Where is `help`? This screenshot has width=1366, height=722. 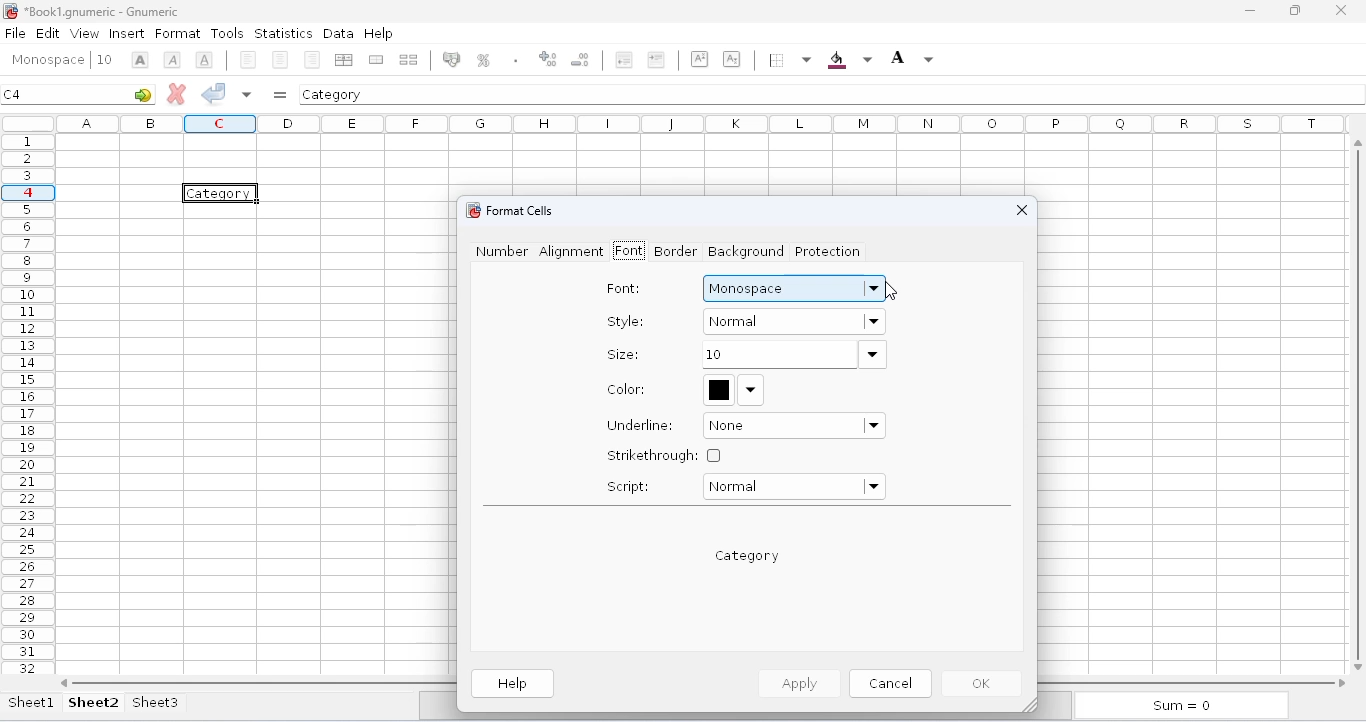 help is located at coordinates (514, 684).